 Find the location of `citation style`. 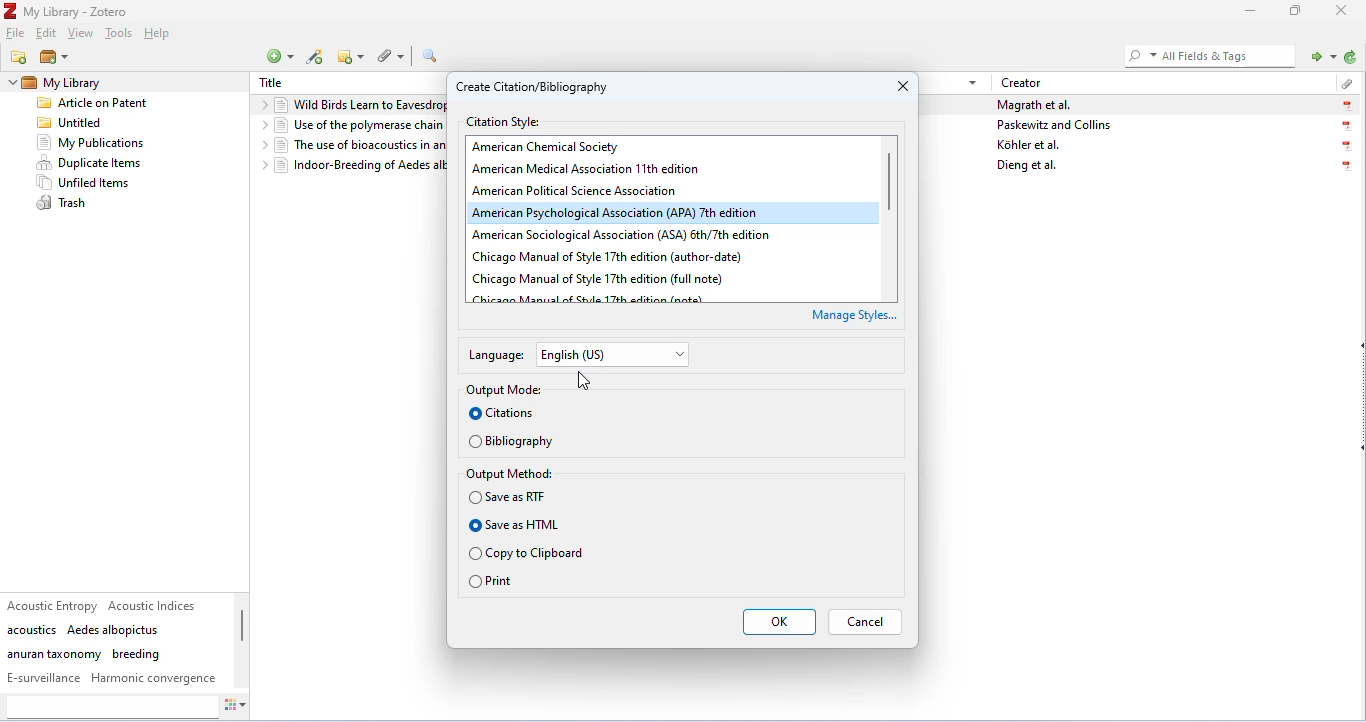

citation style is located at coordinates (508, 121).